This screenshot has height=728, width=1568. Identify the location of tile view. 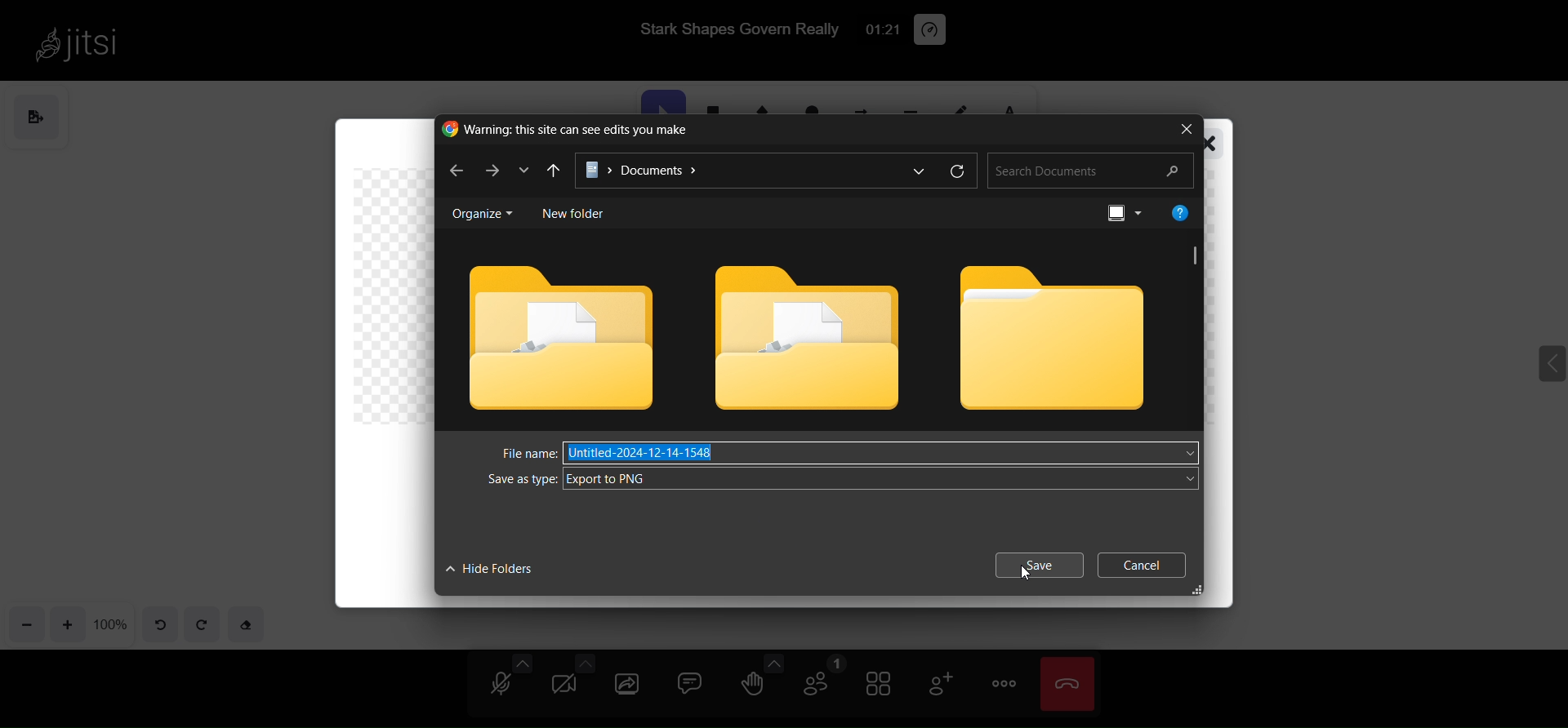
(879, 686).